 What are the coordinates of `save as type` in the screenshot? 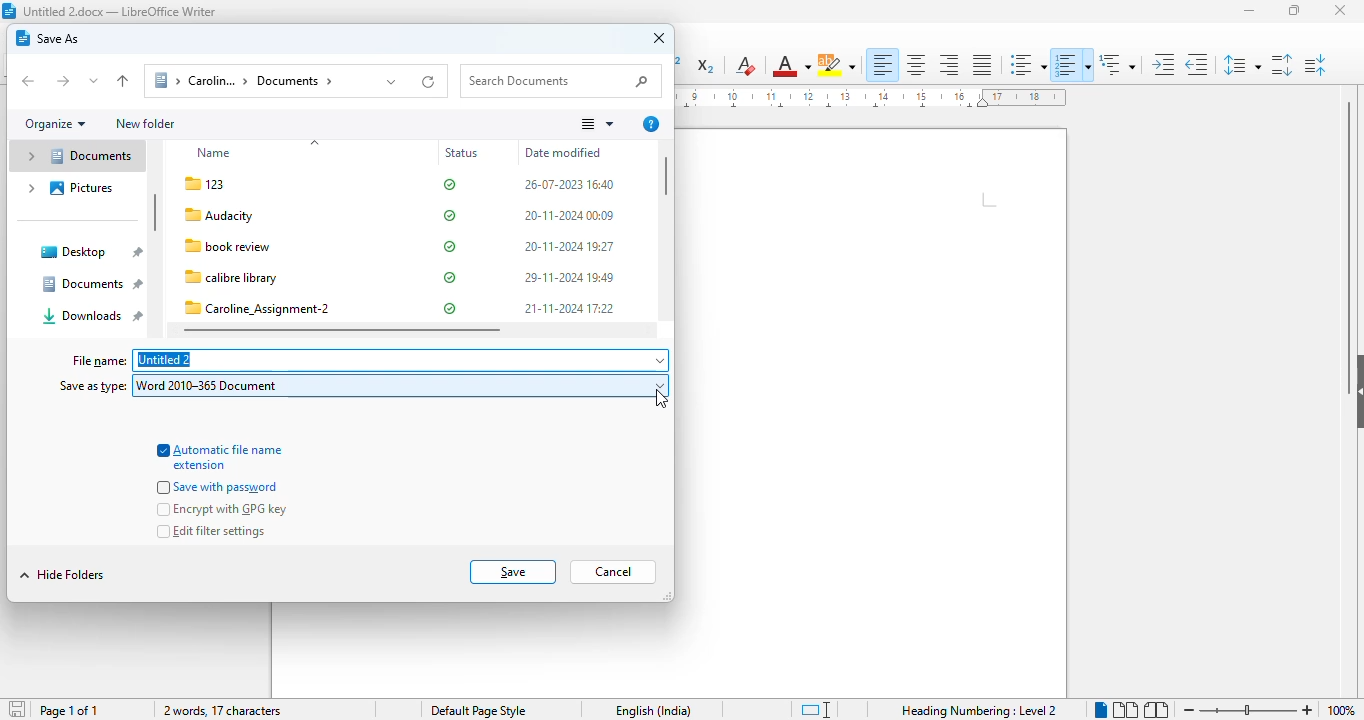 It's located at (91, 385).